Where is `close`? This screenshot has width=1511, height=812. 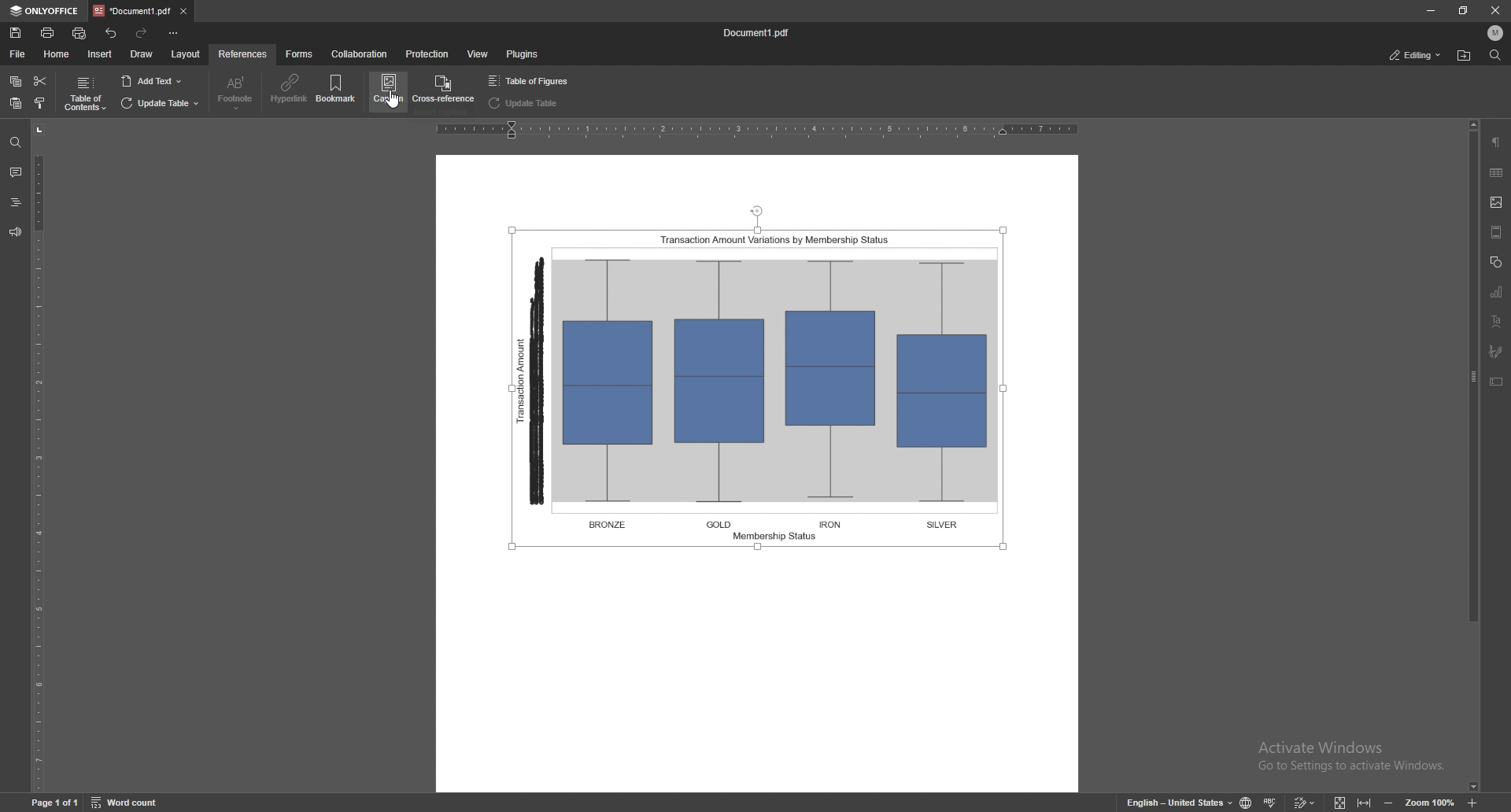 close is located at coordinates (1494, 10).